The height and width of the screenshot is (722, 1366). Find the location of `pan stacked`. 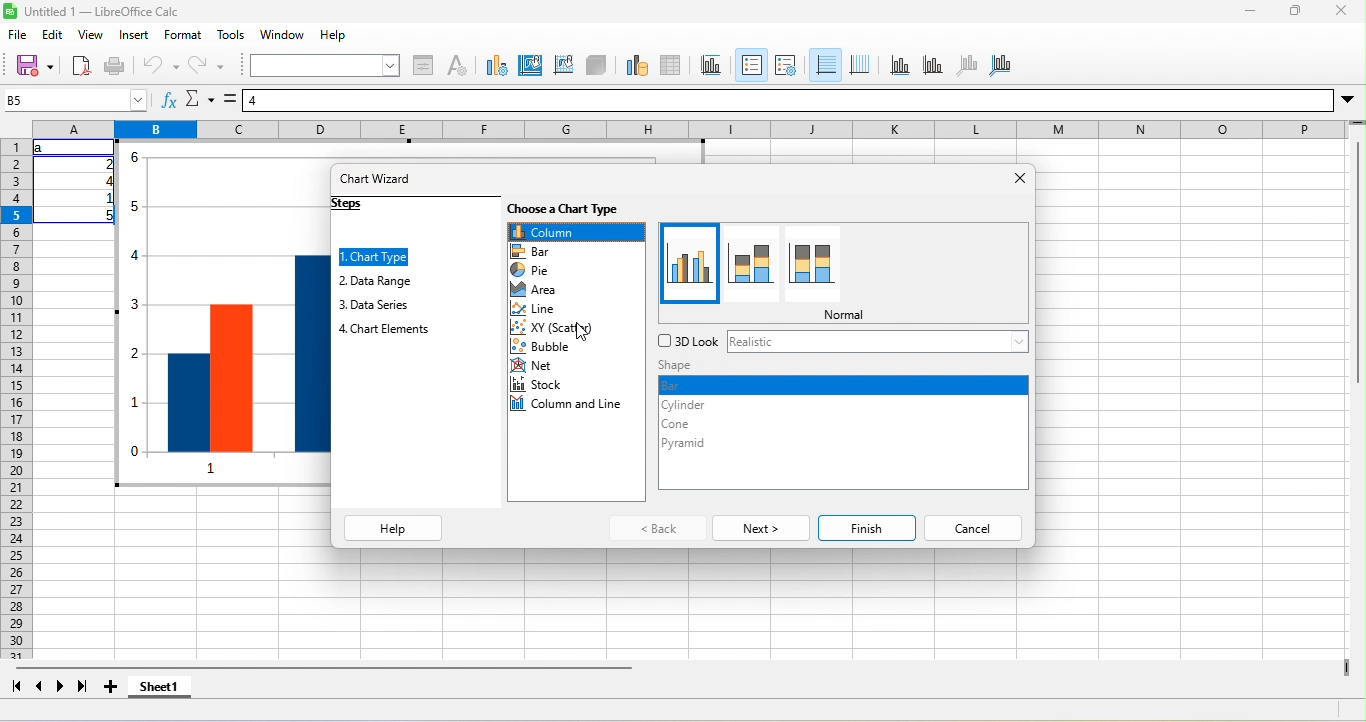

pan stacked is located at coordinates (811, 264).